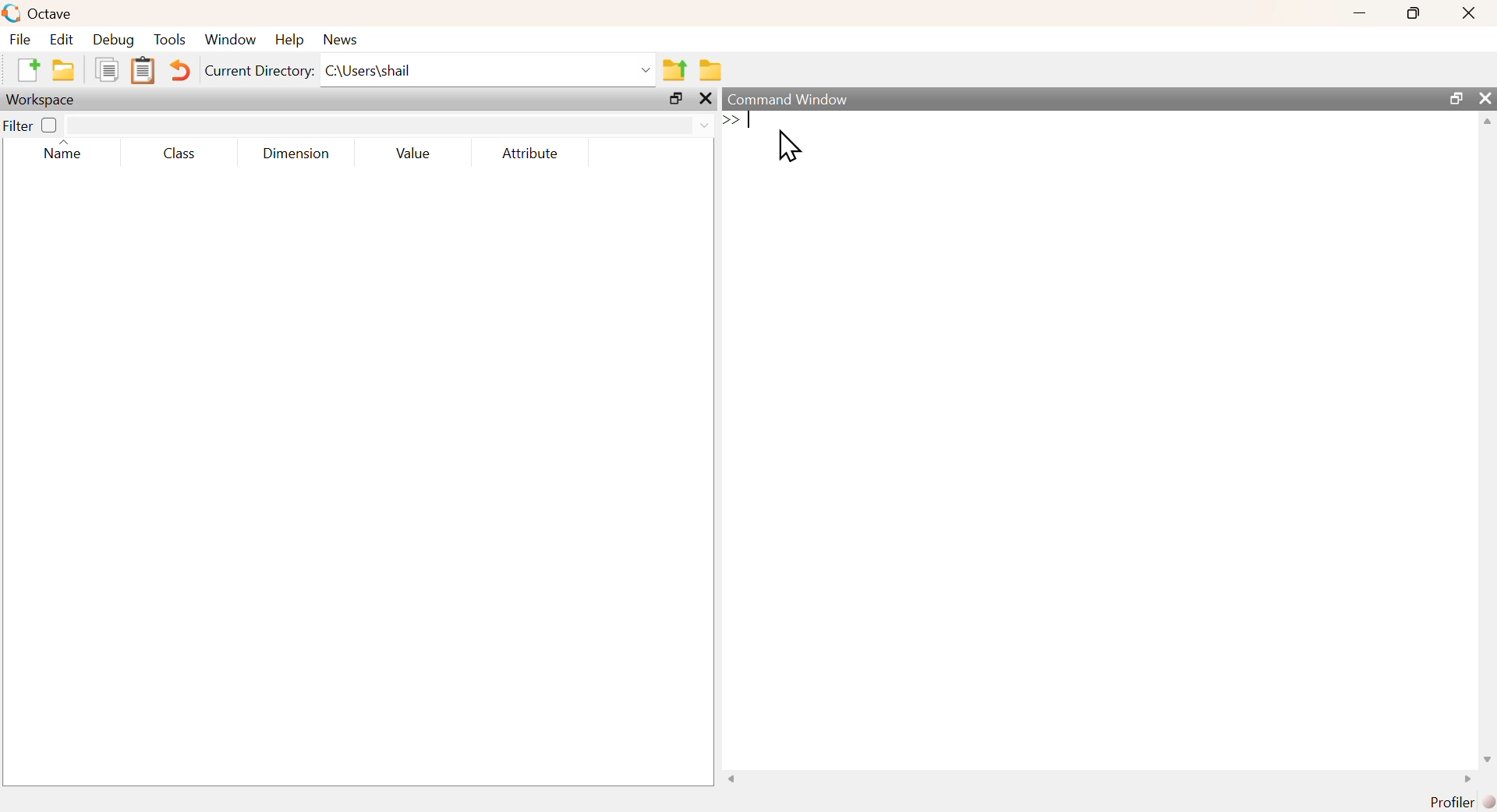  What do you see at coordinates (58, 40) in the screenshot?
I see `Edit` at bounding box center [58, 40].